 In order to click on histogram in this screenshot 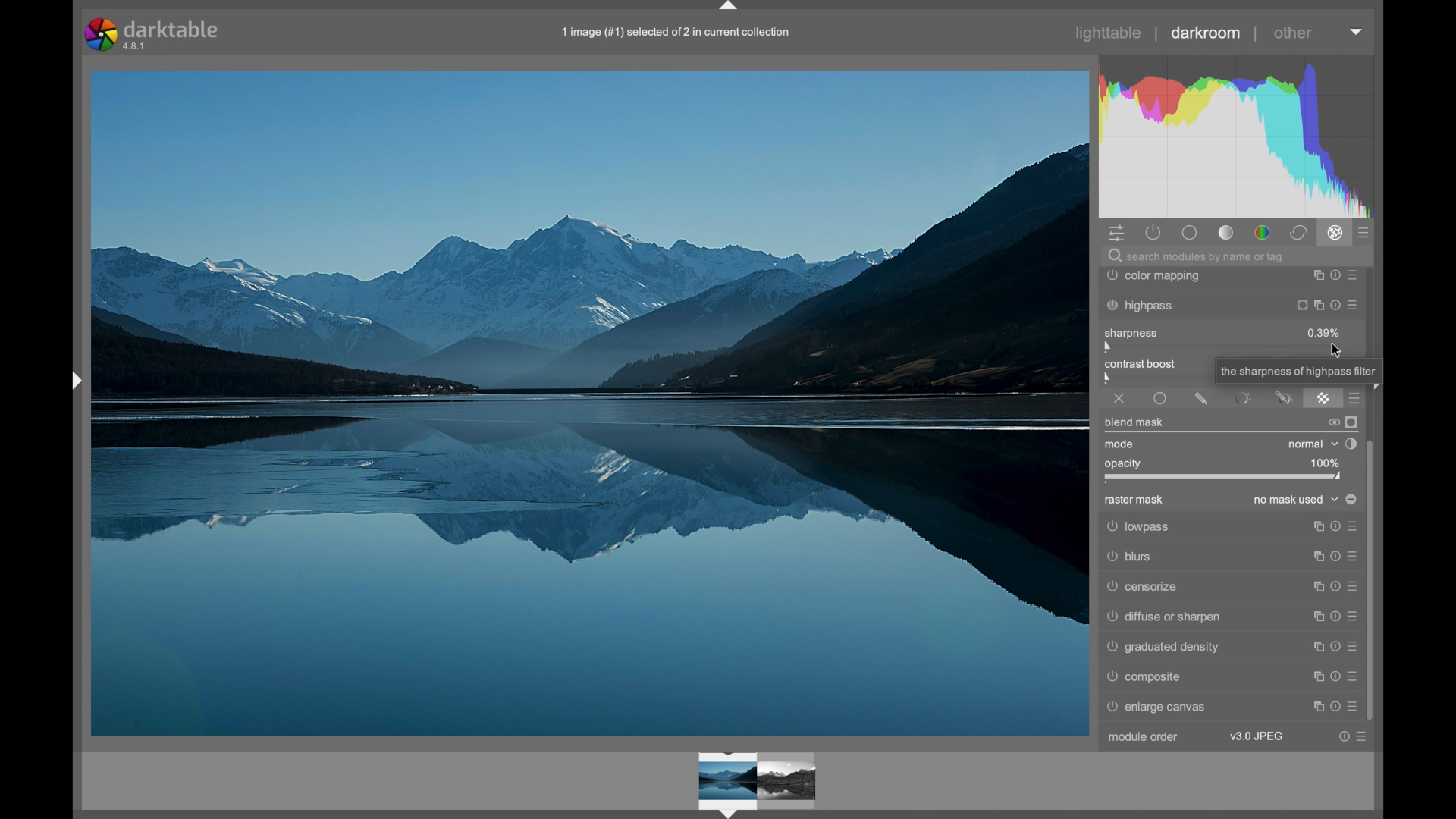, I will do `click(1242, 133)`.